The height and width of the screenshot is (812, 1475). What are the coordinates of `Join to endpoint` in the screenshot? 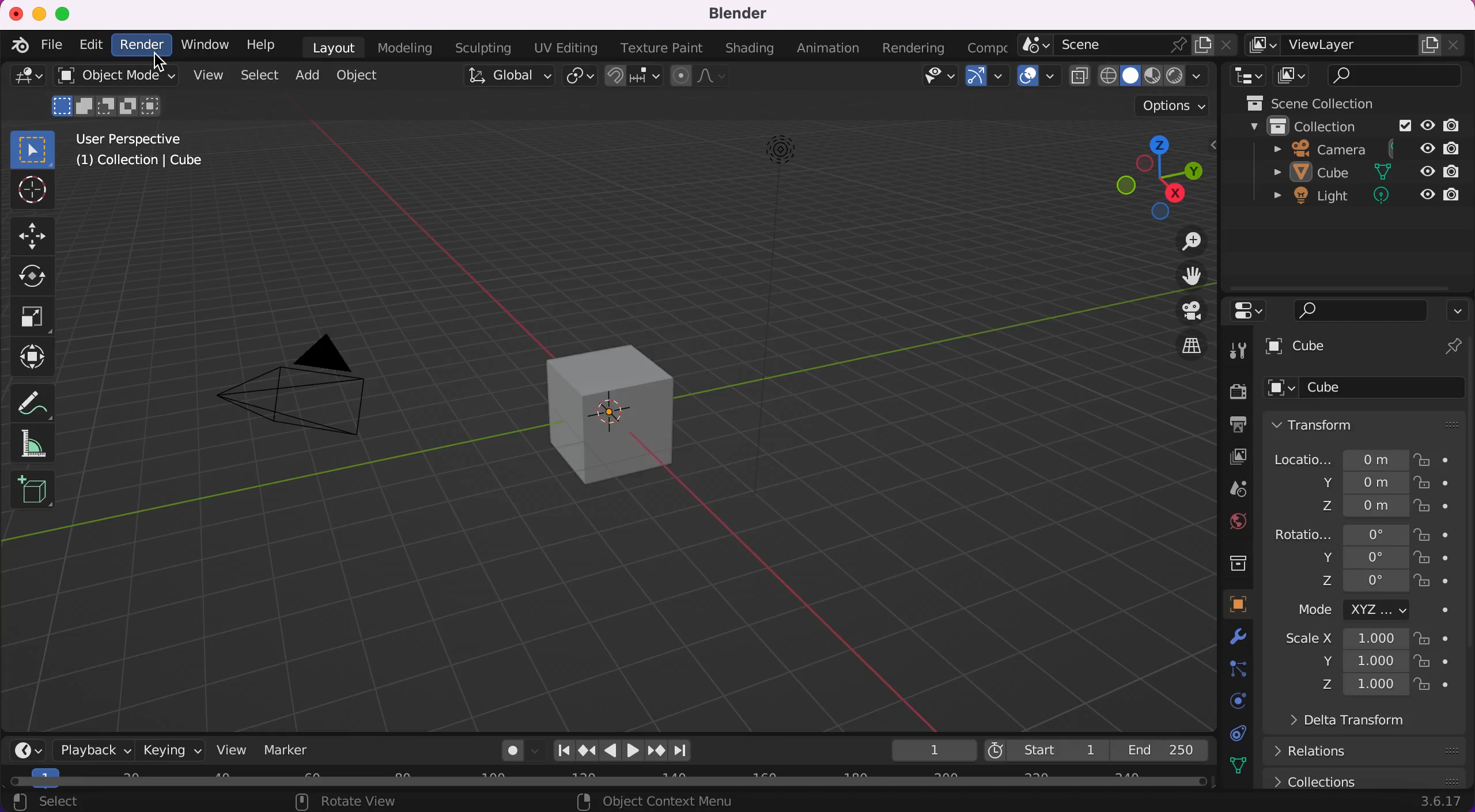 It's located at (682, 751).